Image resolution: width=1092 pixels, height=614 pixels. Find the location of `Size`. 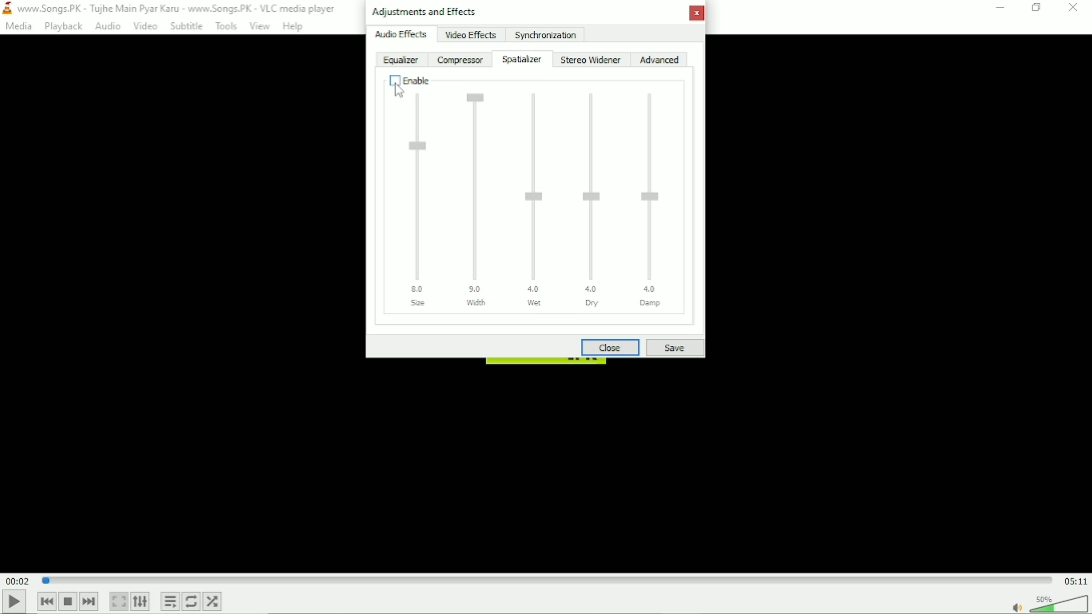

Size is located at coordinates (417, 201).